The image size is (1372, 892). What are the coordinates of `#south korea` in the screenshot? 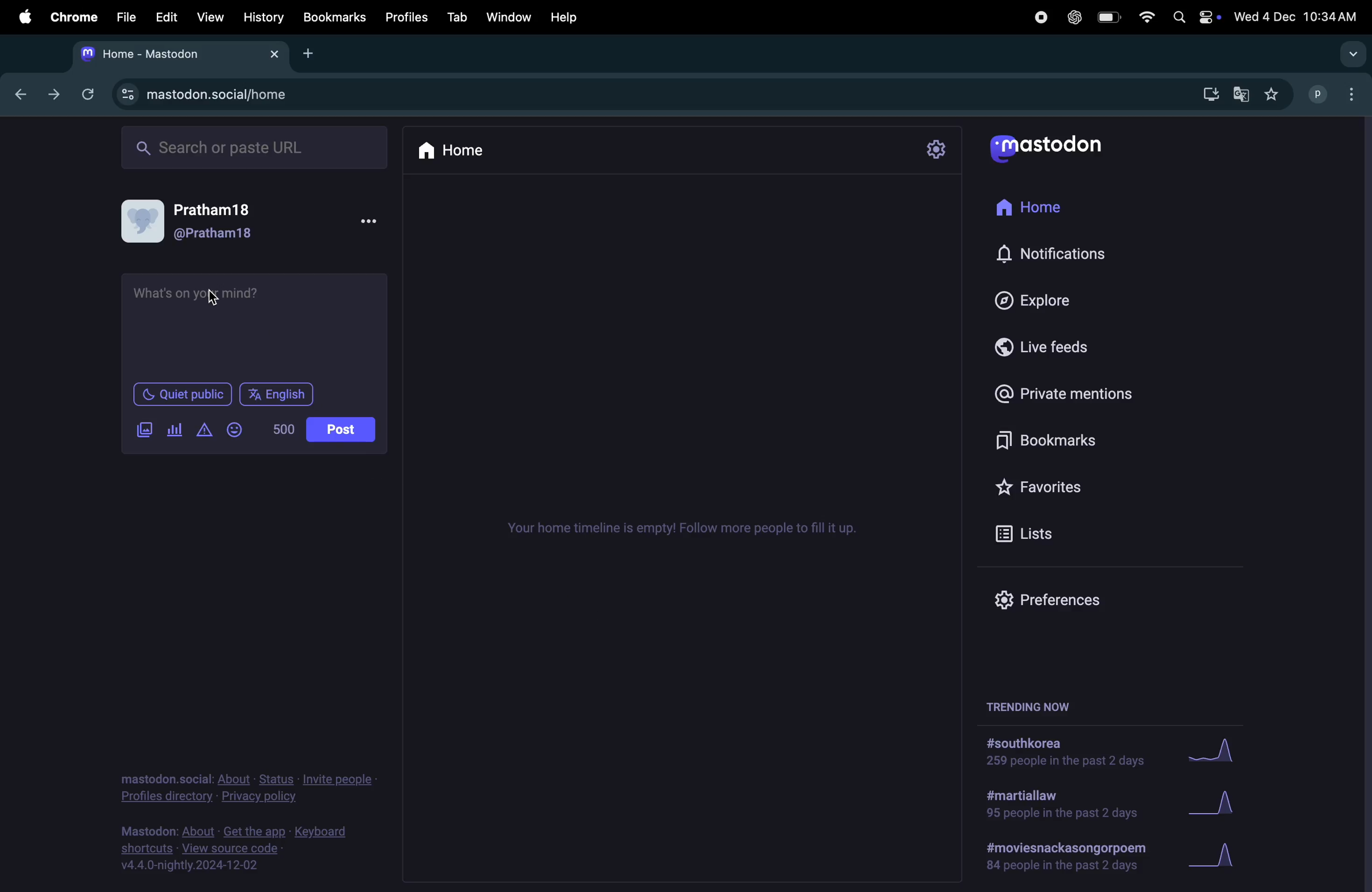 It's located at (1060, 753).